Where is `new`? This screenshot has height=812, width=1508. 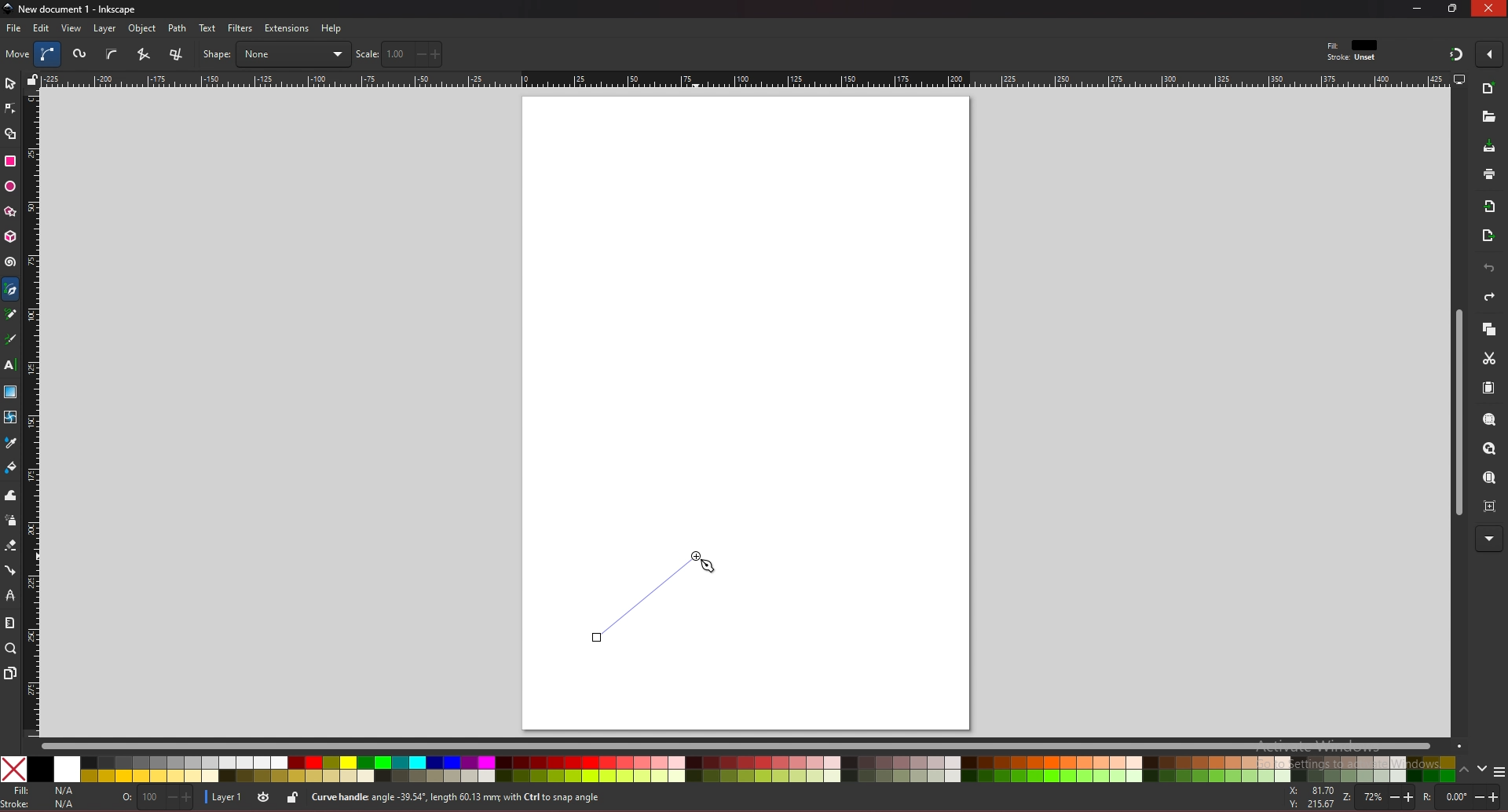 new is located at coordinates (1488, 117).